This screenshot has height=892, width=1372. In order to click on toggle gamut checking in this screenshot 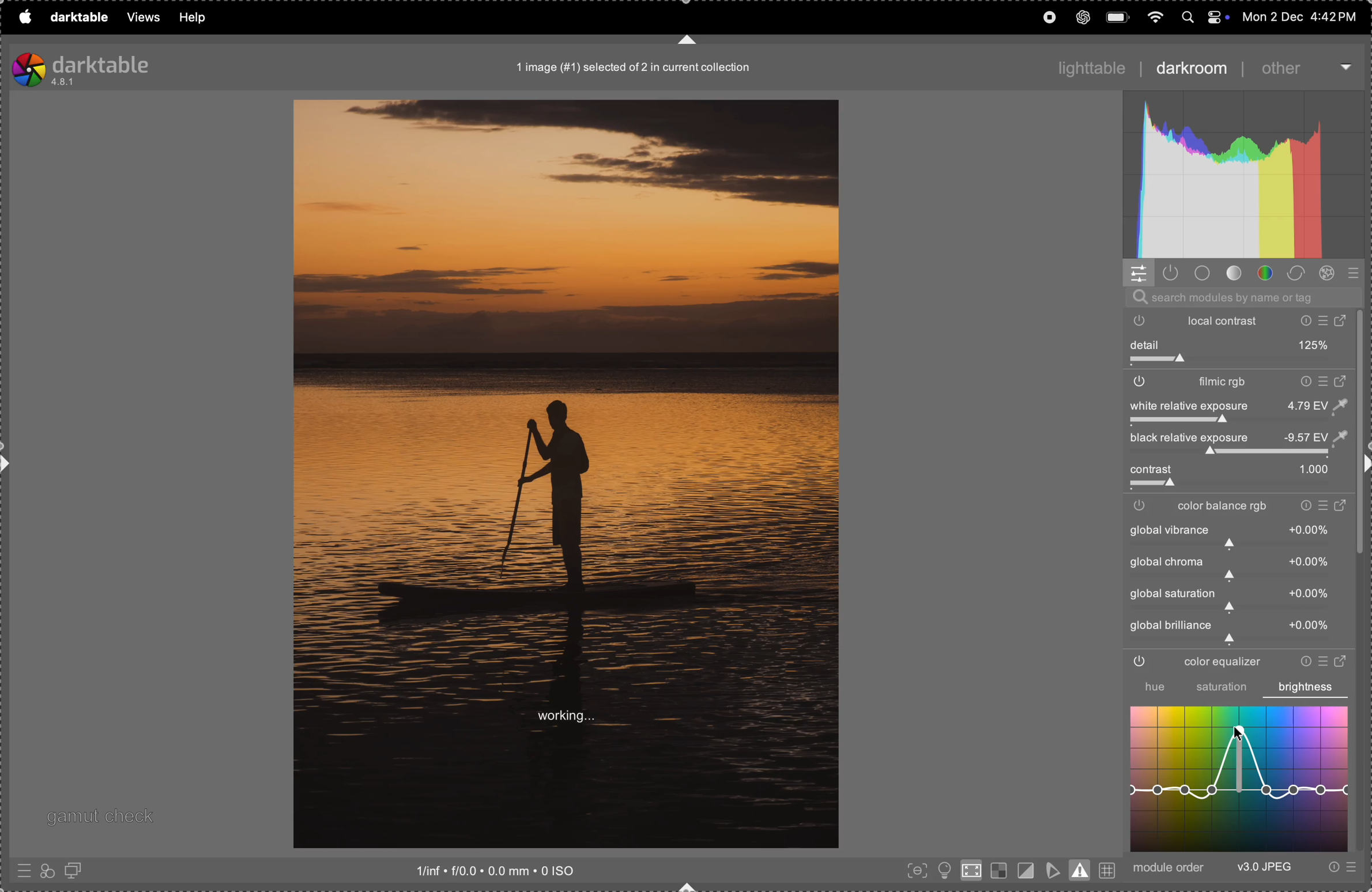, I will do `click(1081, 870)`.